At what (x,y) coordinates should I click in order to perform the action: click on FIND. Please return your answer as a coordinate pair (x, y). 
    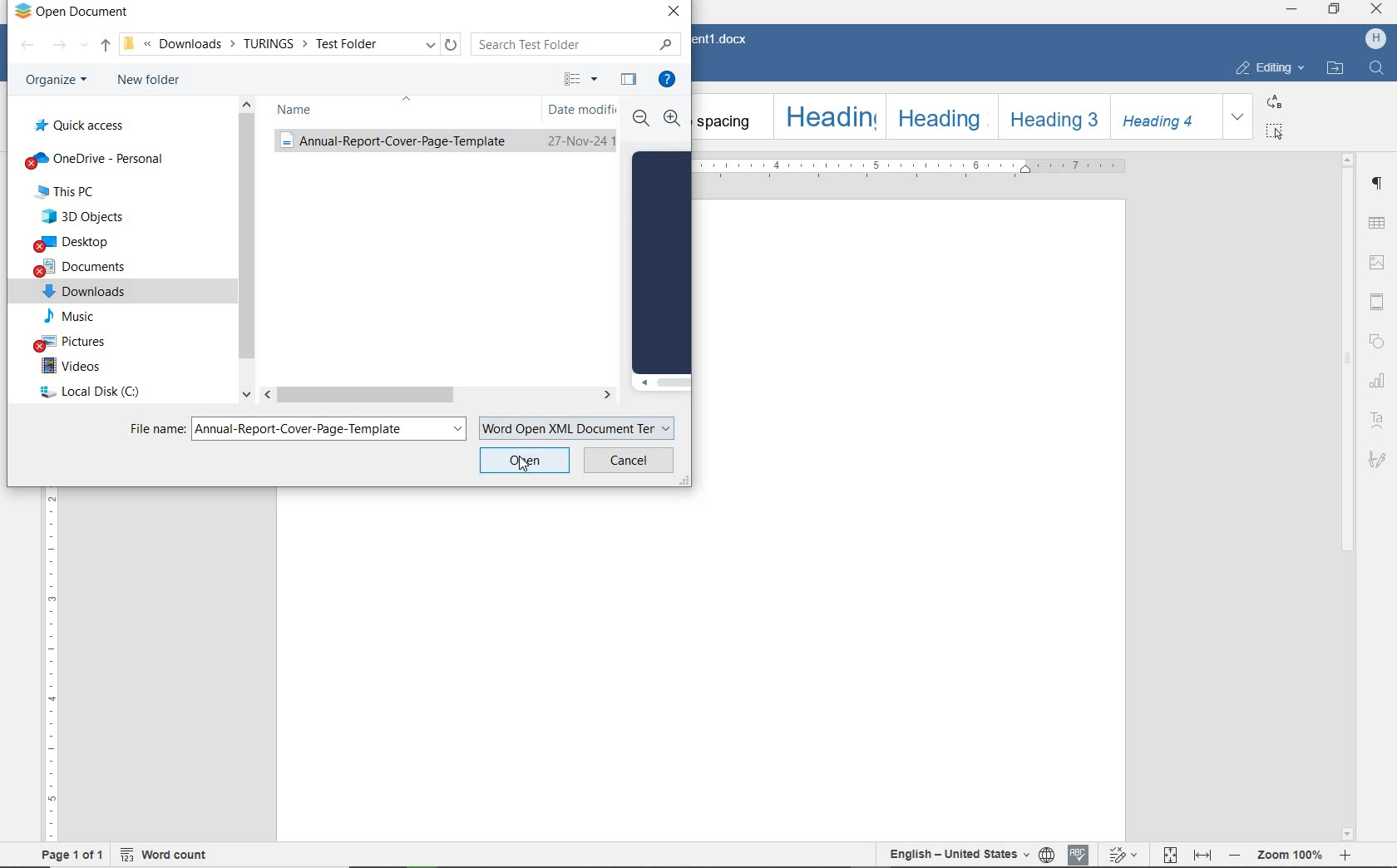
    Looking at the image, I should click on (1380, 67).